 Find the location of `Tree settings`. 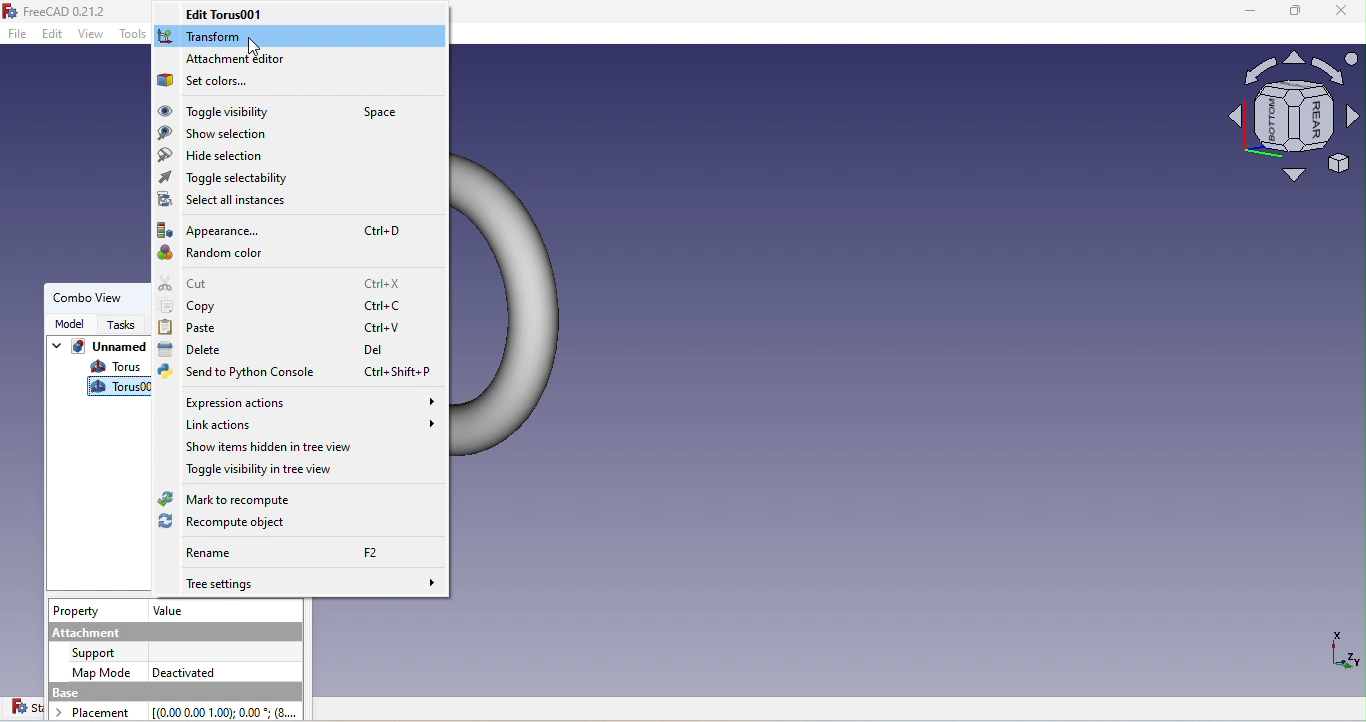

Tree settings is located at coordinates (303, 583).